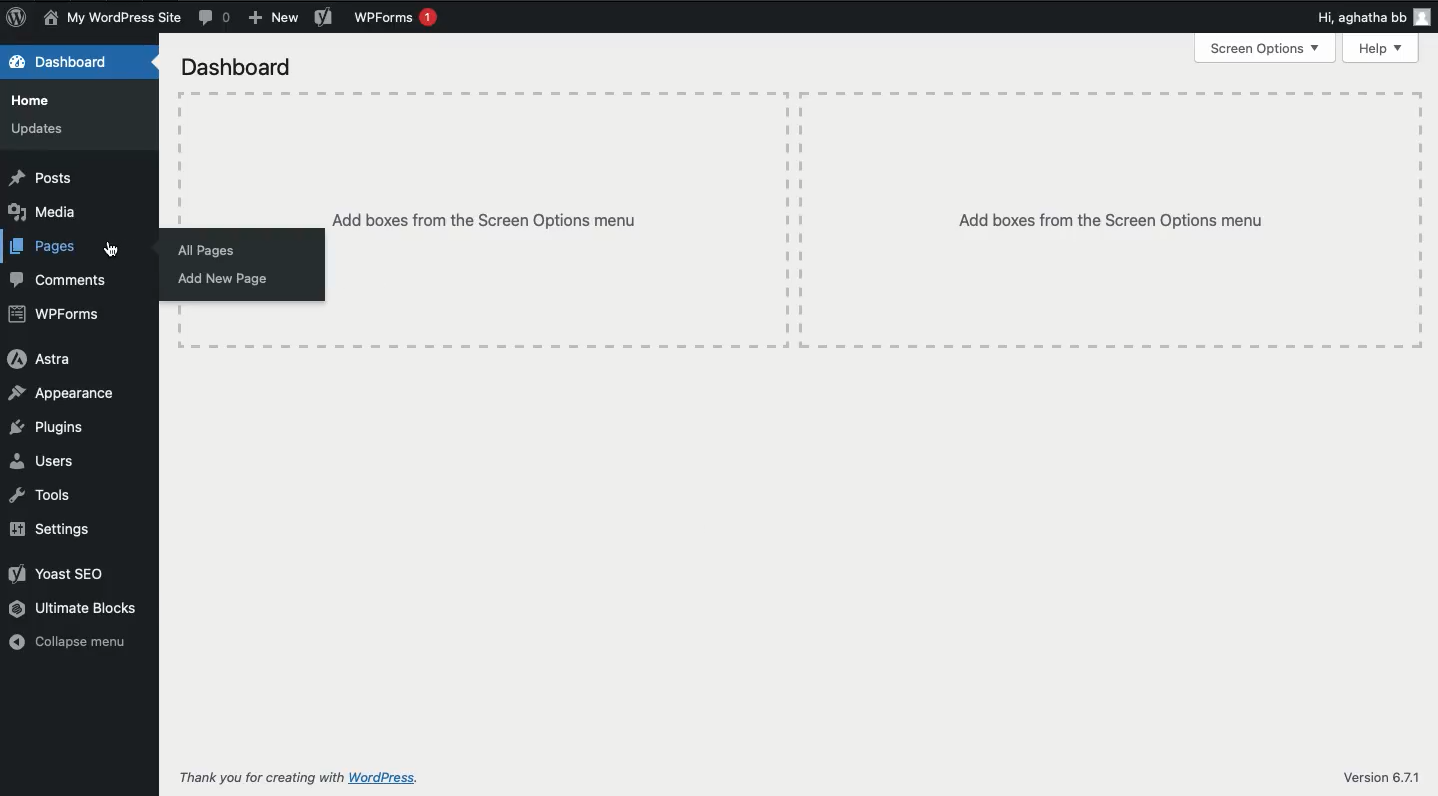 Image resolution: width=1438 pixels, height=796 pixels. Describe the element at coordinates (59, 574) in the screenshot. I see `Yoast` at that location.